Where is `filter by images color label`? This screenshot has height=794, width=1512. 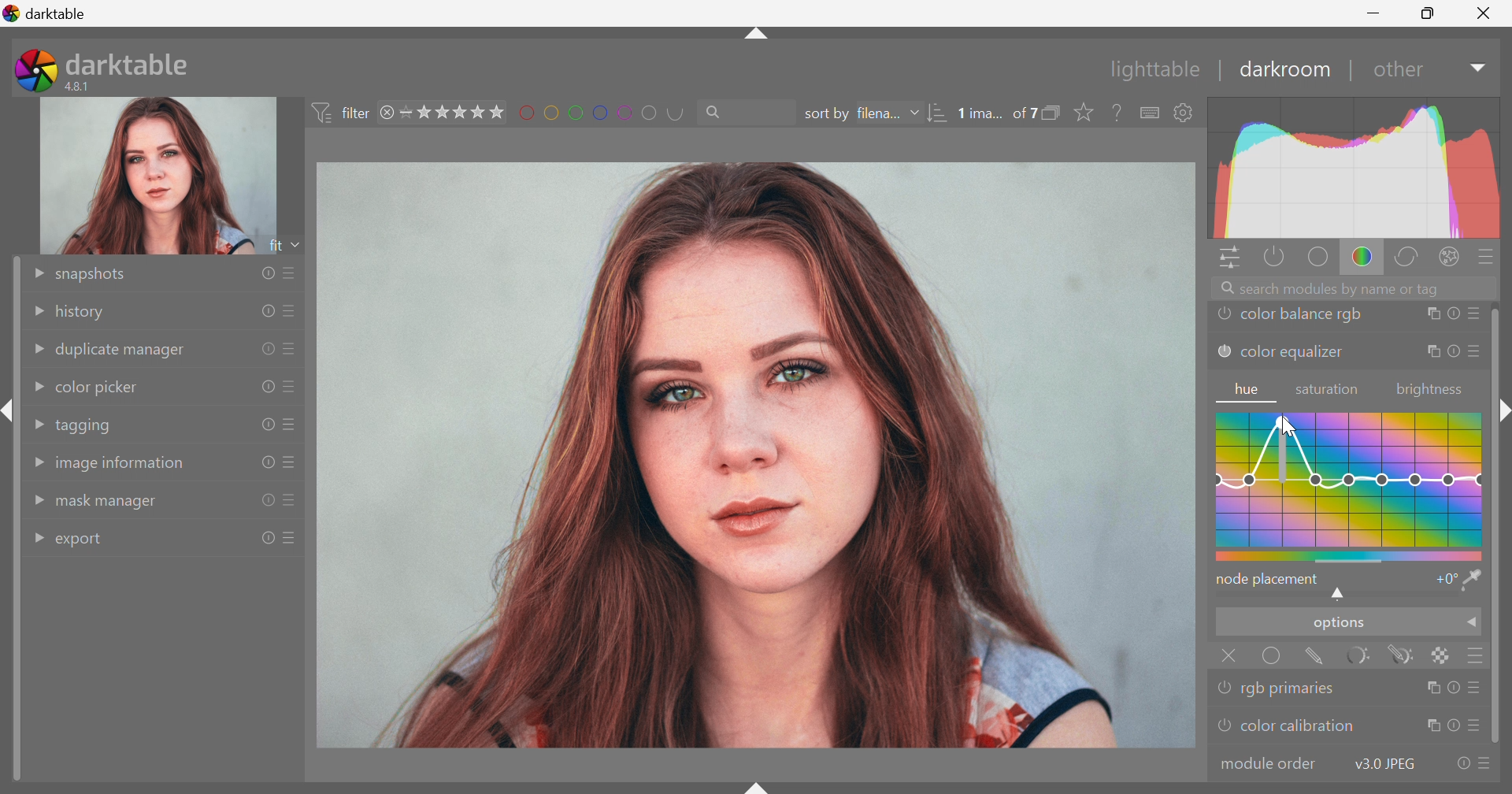
filter by images color label is located at coordinates (606, 112).